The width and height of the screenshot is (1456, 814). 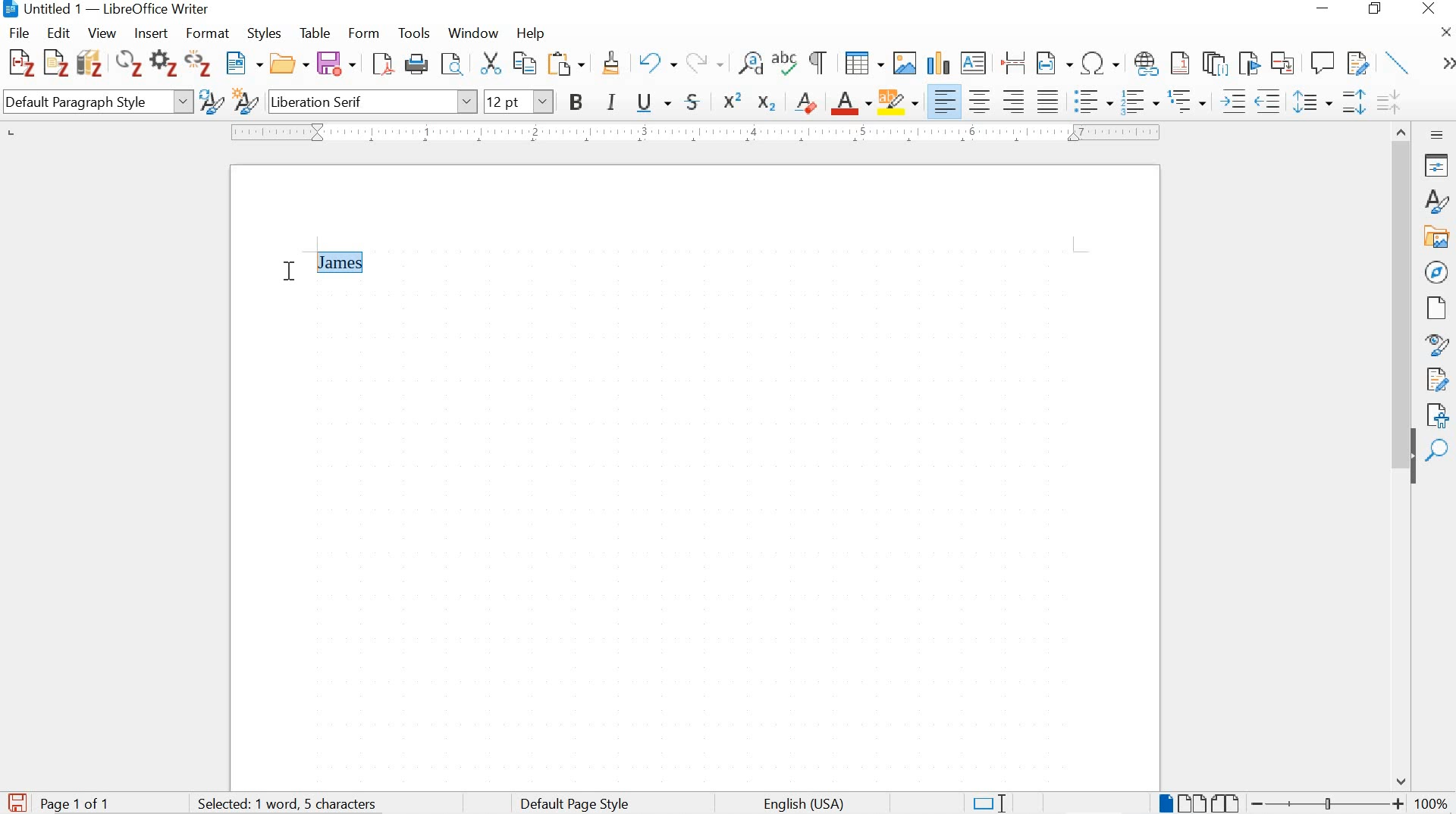 What do you see at coordinates (904, 62) in the screenshot?
I see `insert image` at bounding box center [904, 62].